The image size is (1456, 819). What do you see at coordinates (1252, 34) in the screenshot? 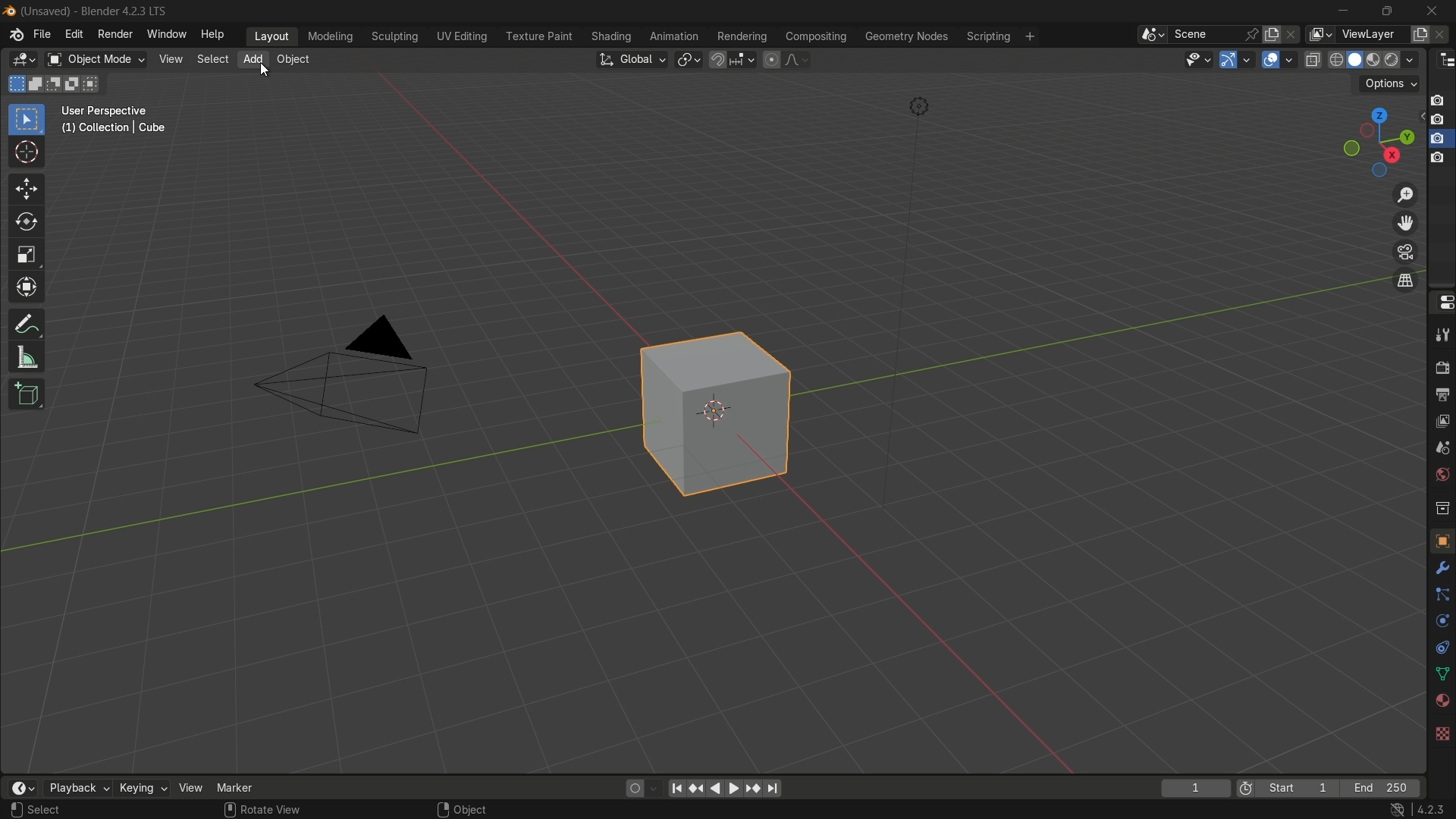
I see `pin scene to workplace` at bounding box center [1252, 34].